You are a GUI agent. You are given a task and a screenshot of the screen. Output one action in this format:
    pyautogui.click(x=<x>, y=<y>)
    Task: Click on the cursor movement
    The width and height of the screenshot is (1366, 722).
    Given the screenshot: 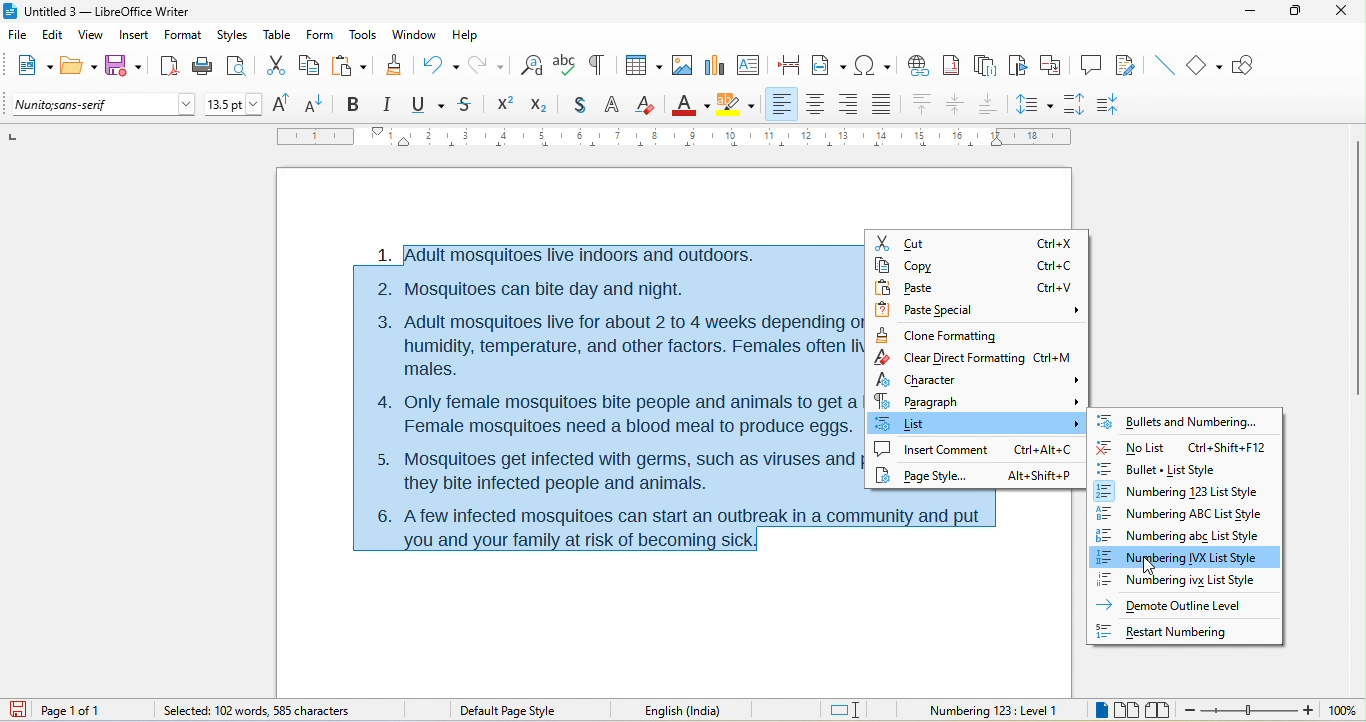 What is the action you would take?
    pyautogui.click(x=1155, y=570)
    